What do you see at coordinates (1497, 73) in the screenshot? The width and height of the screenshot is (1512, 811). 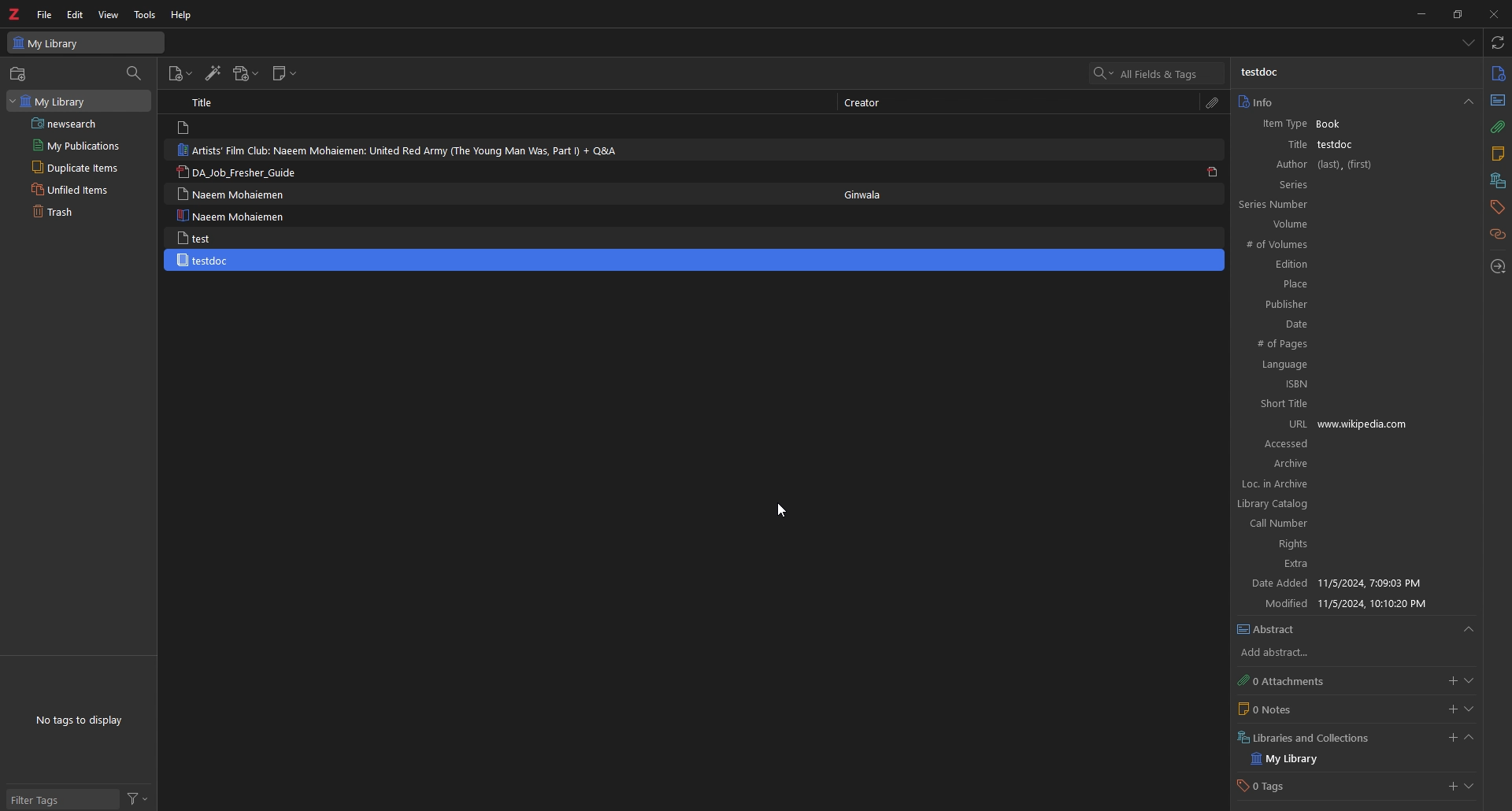 I see `info` at bounding box center [1497, 73].